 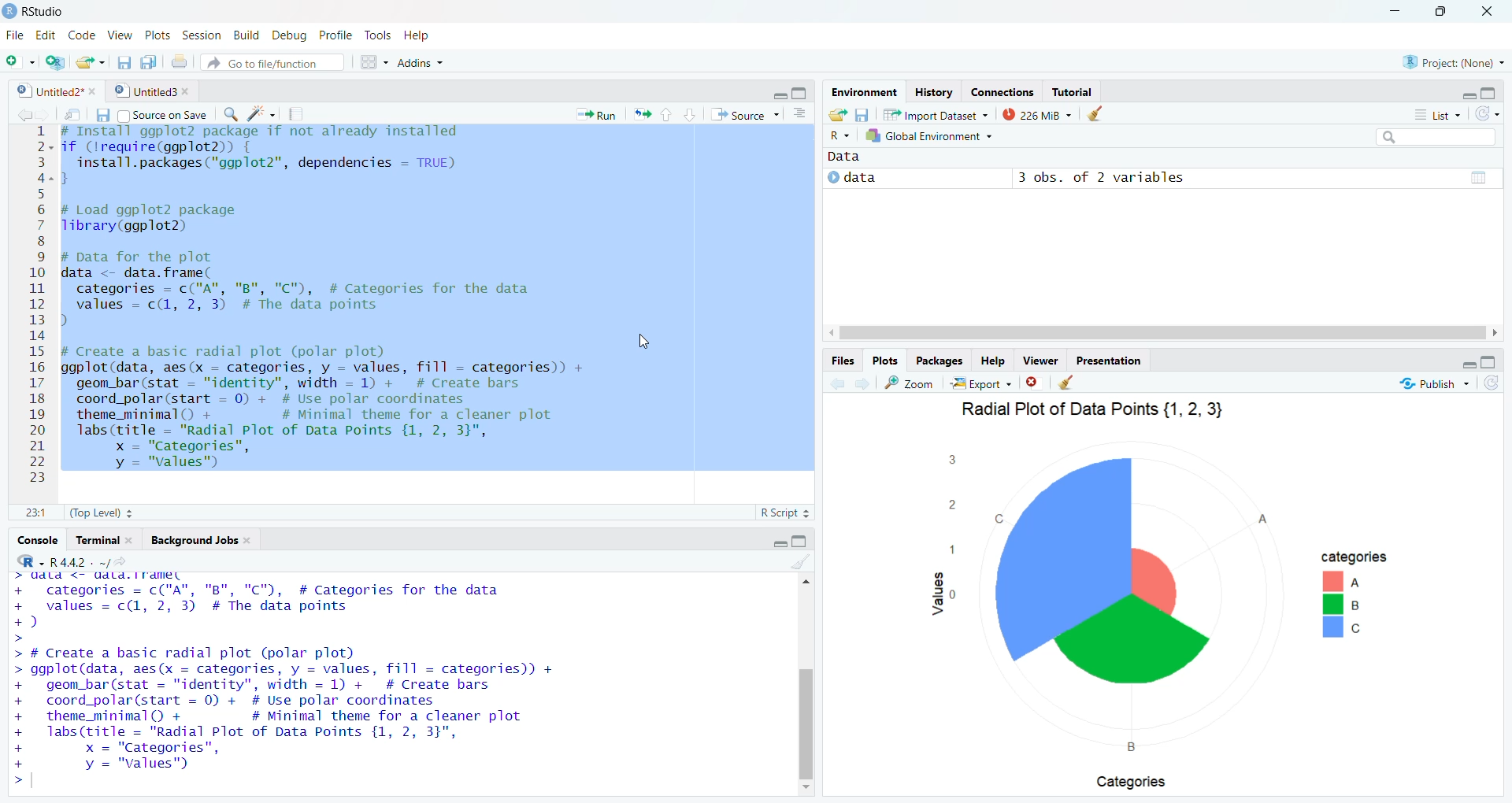 What do you see at coordinates (1398, 12) in the screenshot?
I see `Minimize` at bounding box center [1398, 12].